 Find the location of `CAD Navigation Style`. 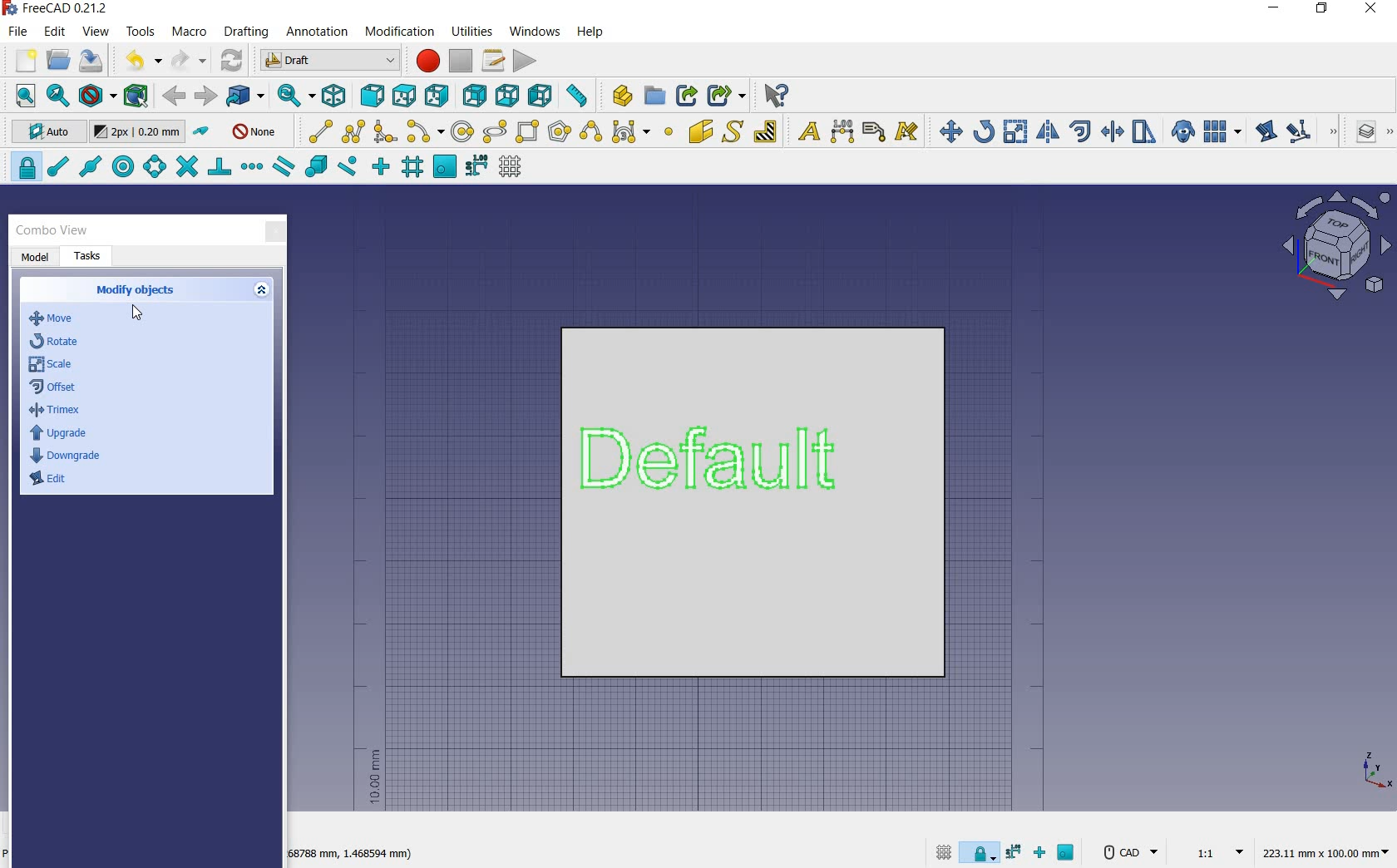

CAD Navigation Style is located at coordinates (1128, 852).